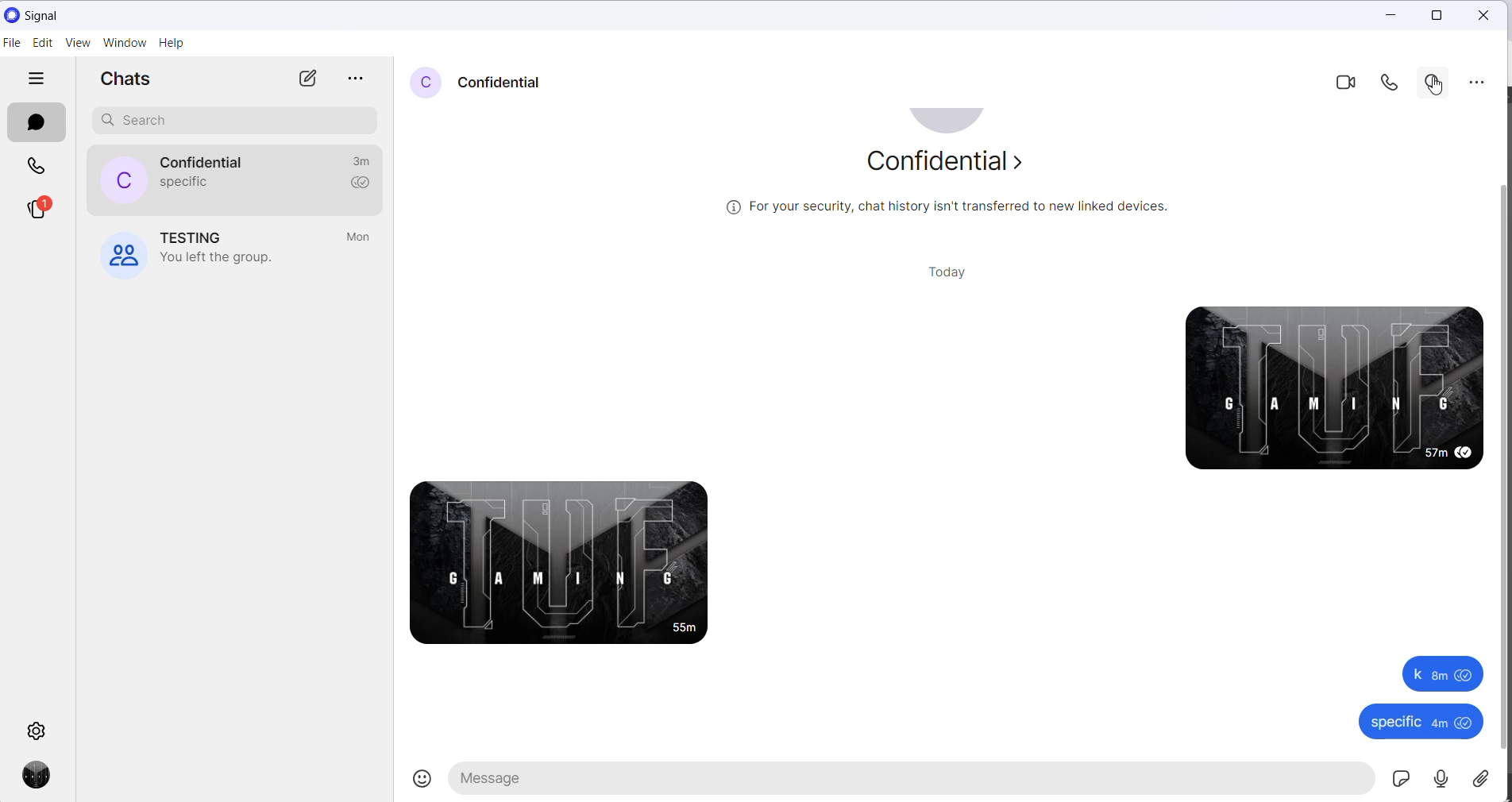  Describe the element at coordinates (12, 44) in the screenshot. I see `file` at that location.